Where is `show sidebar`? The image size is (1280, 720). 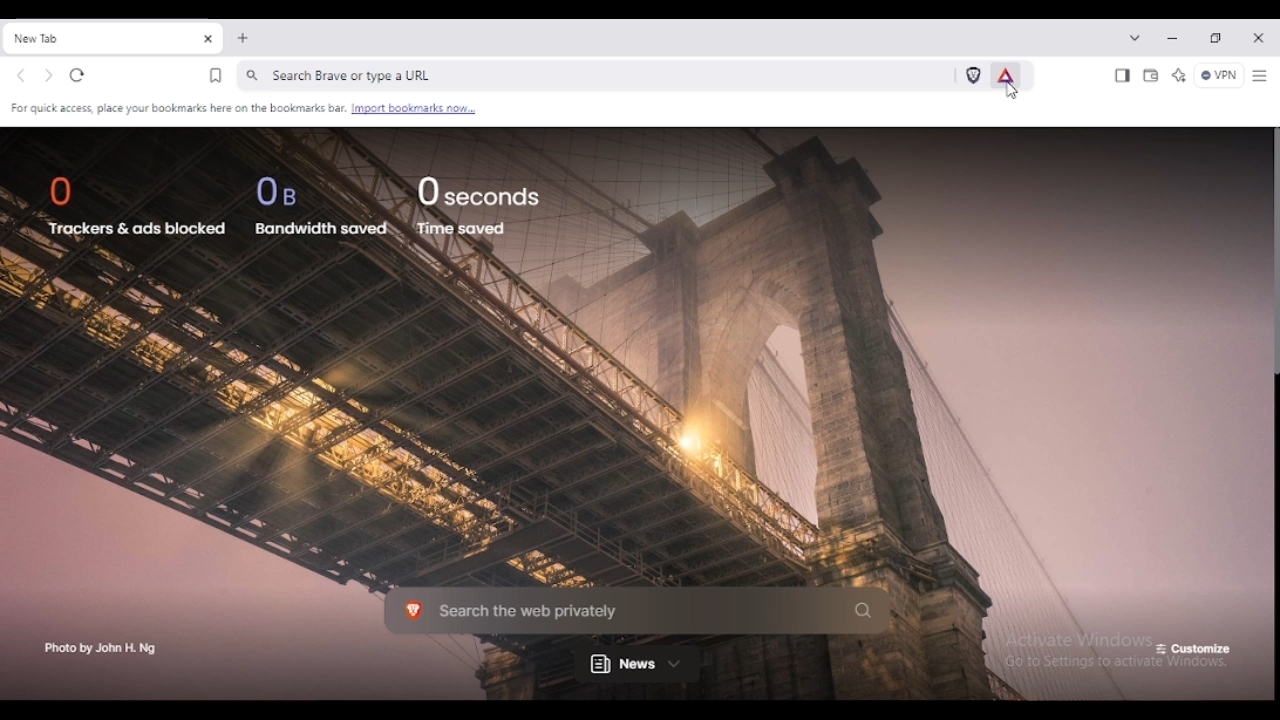 show sidebar is located at coordinates (1122, 76).